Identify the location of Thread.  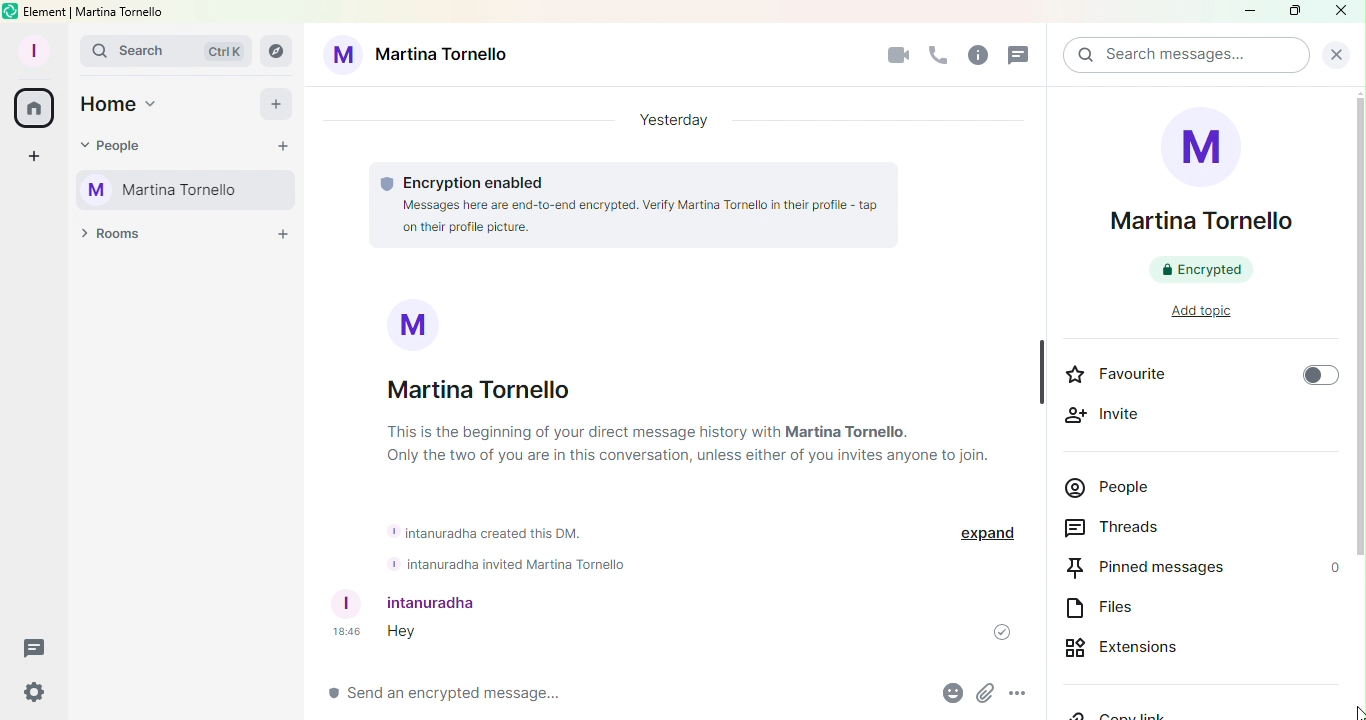
(1021, 54).